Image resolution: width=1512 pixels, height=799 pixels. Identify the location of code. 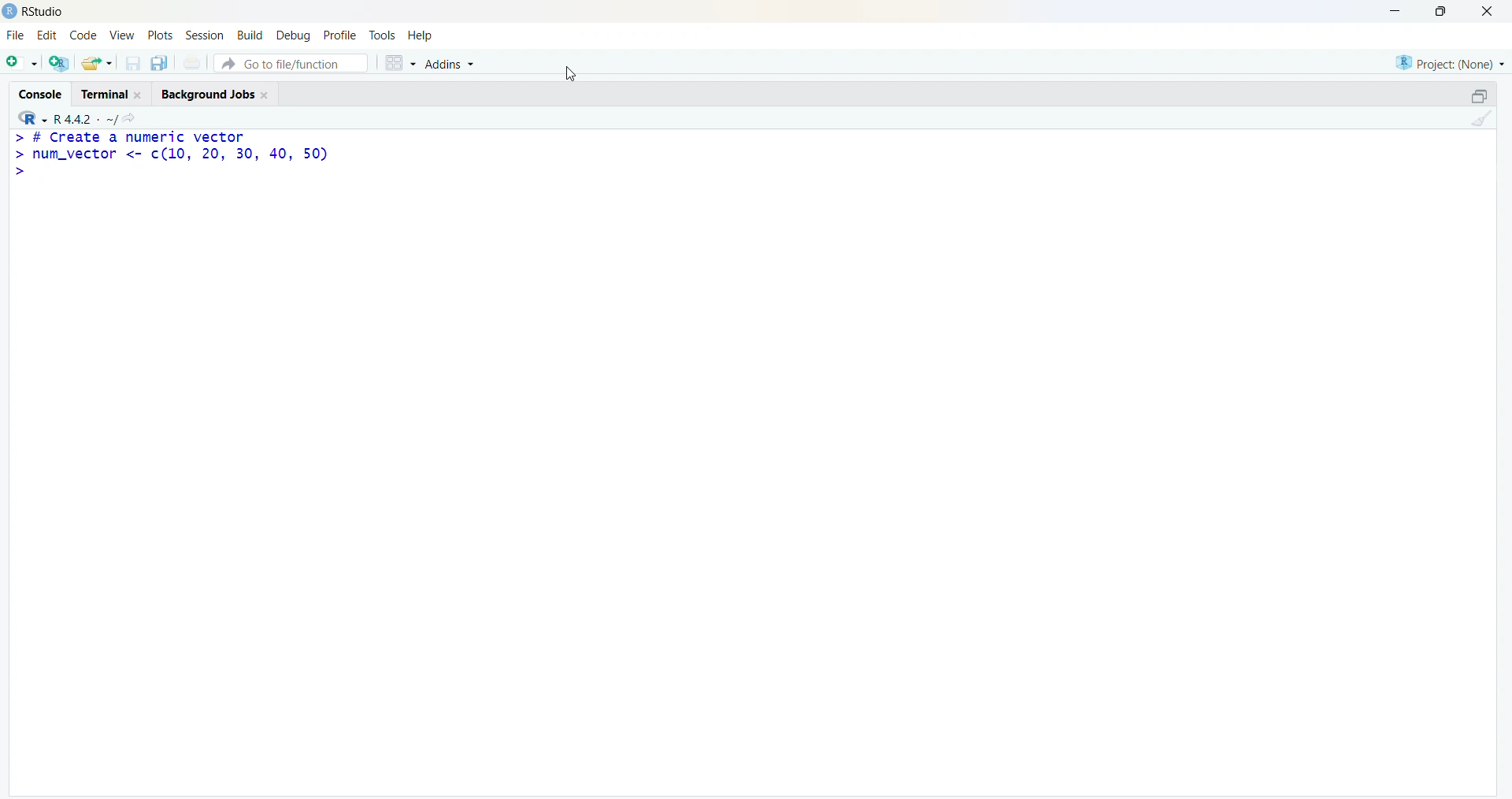
(83, 35).